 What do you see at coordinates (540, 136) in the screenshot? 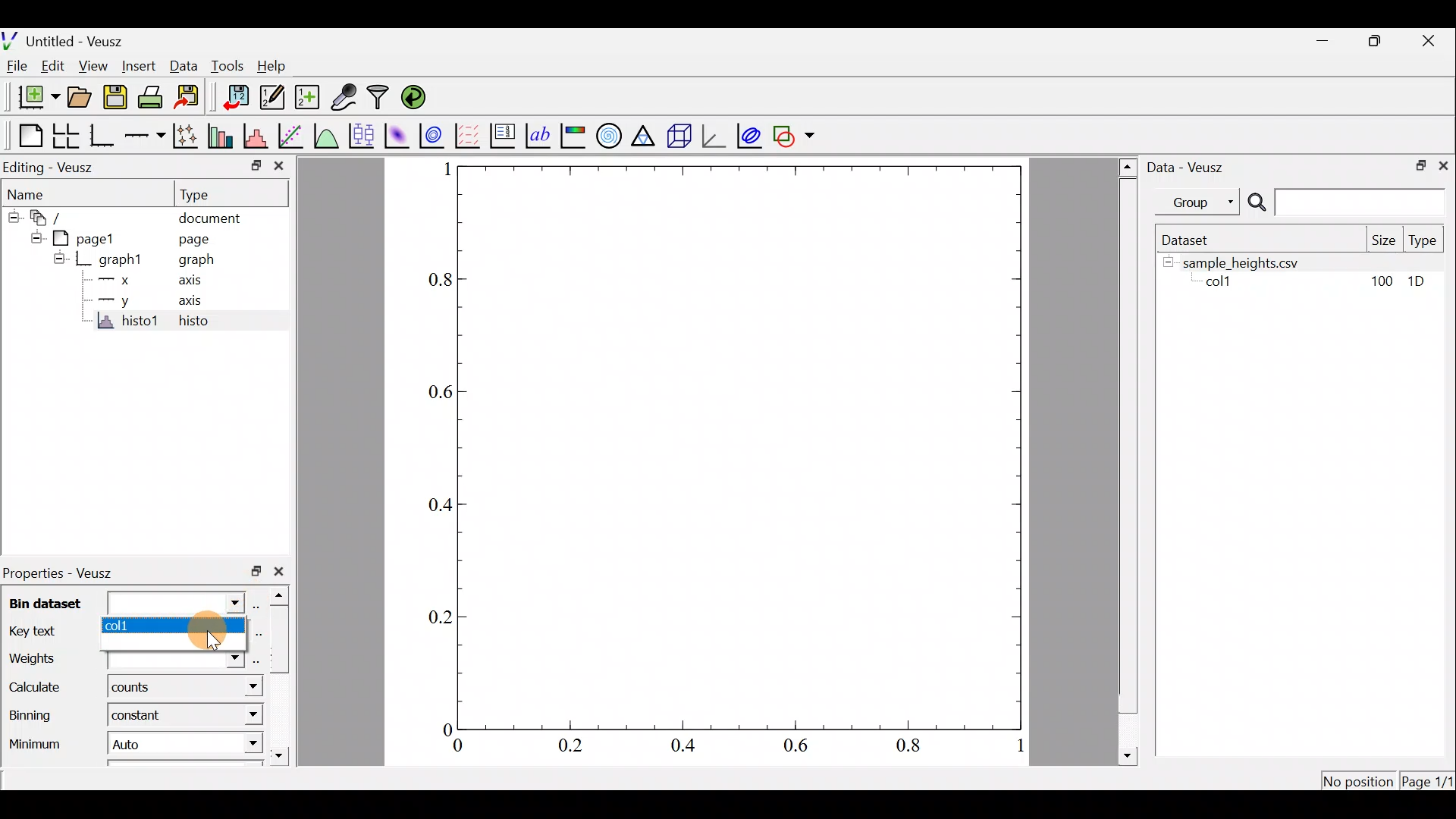
I see `text label` at bounding box center [540, 136].